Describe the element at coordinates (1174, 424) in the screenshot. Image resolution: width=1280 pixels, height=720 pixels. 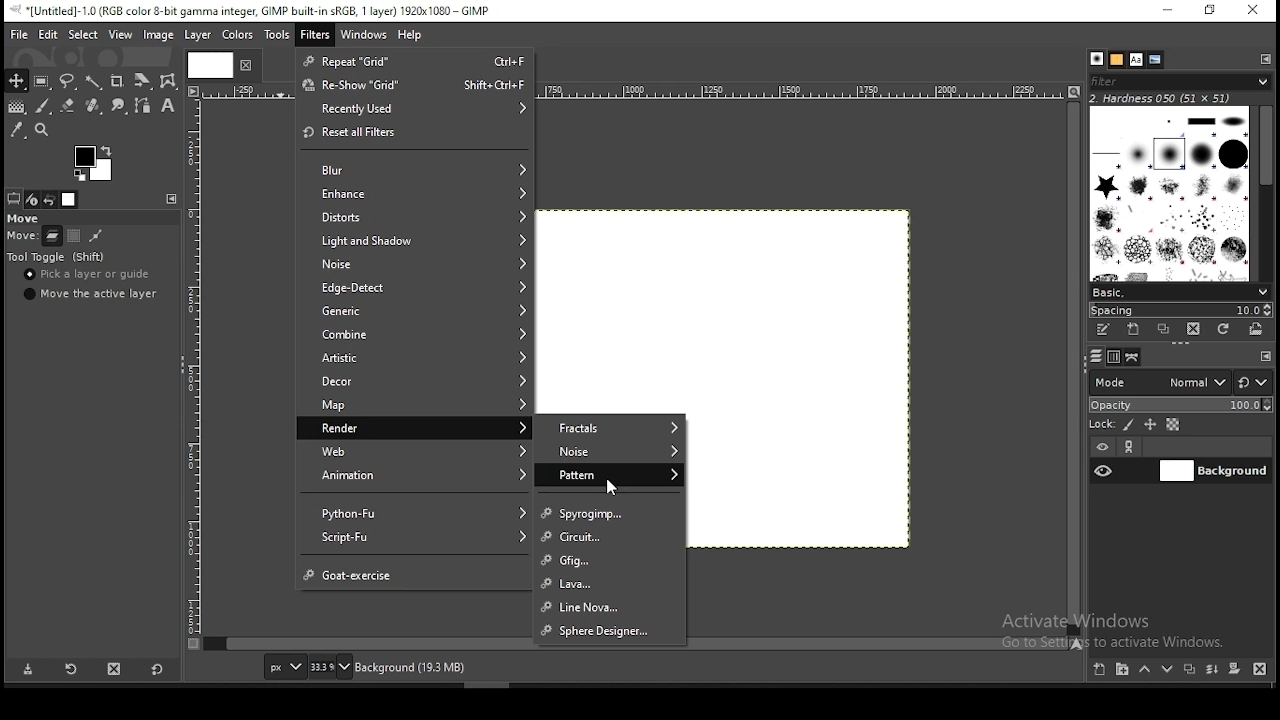
I see `lock alpha channel` at that location.